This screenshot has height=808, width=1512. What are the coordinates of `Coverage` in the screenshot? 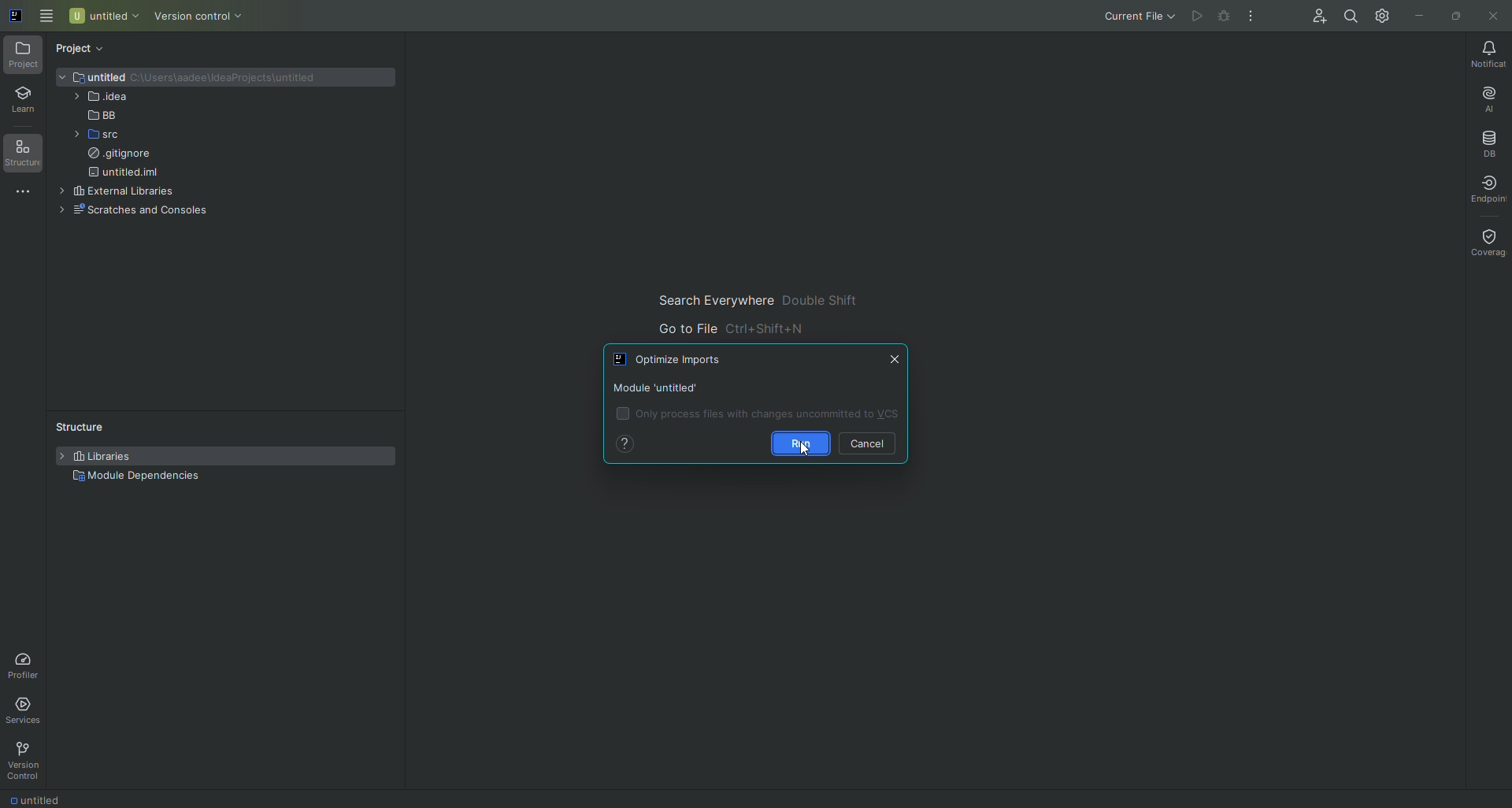 It's located at (1488, 240).